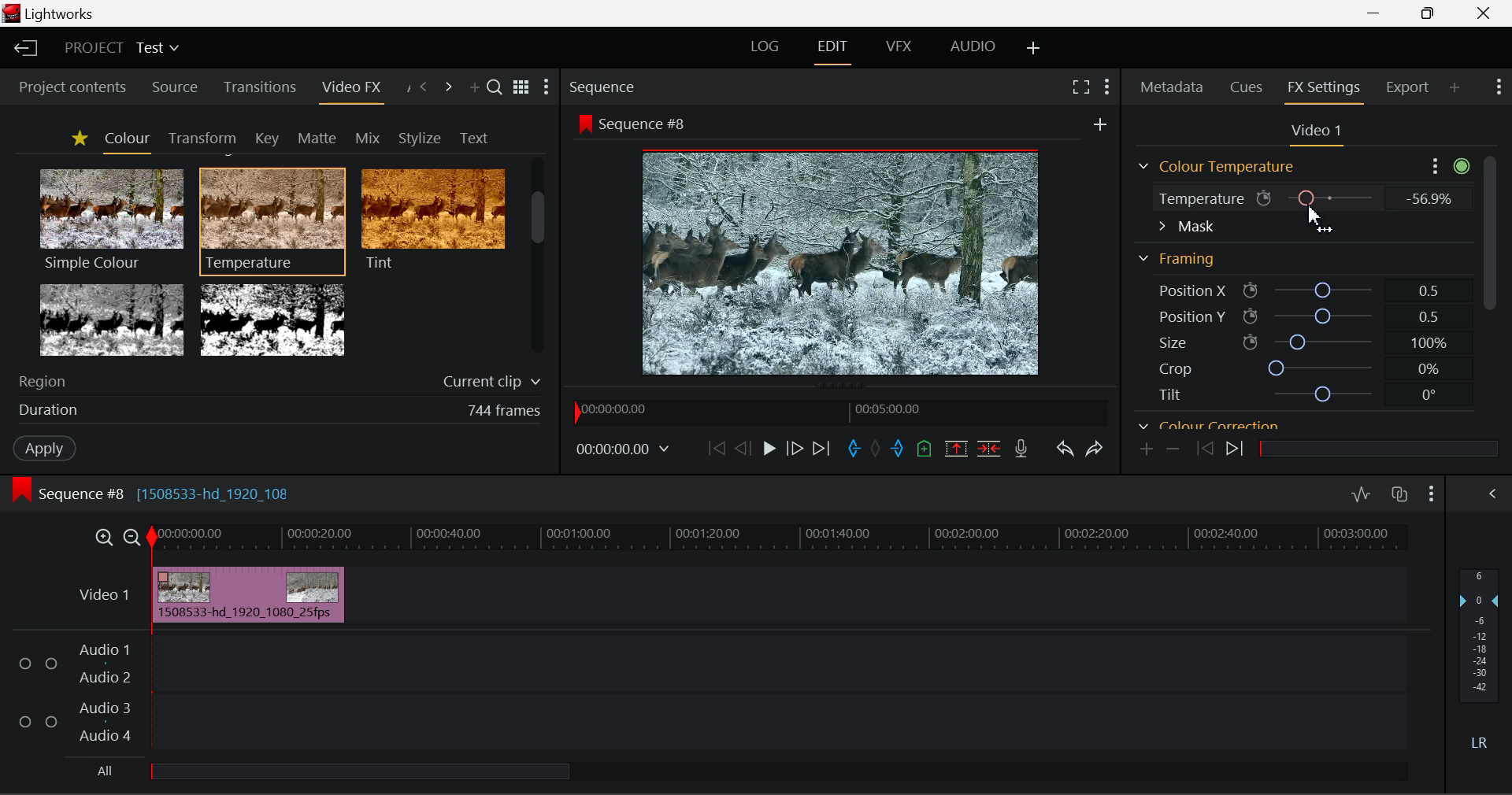  I want to click on Full Screen, so click(1079, 90).